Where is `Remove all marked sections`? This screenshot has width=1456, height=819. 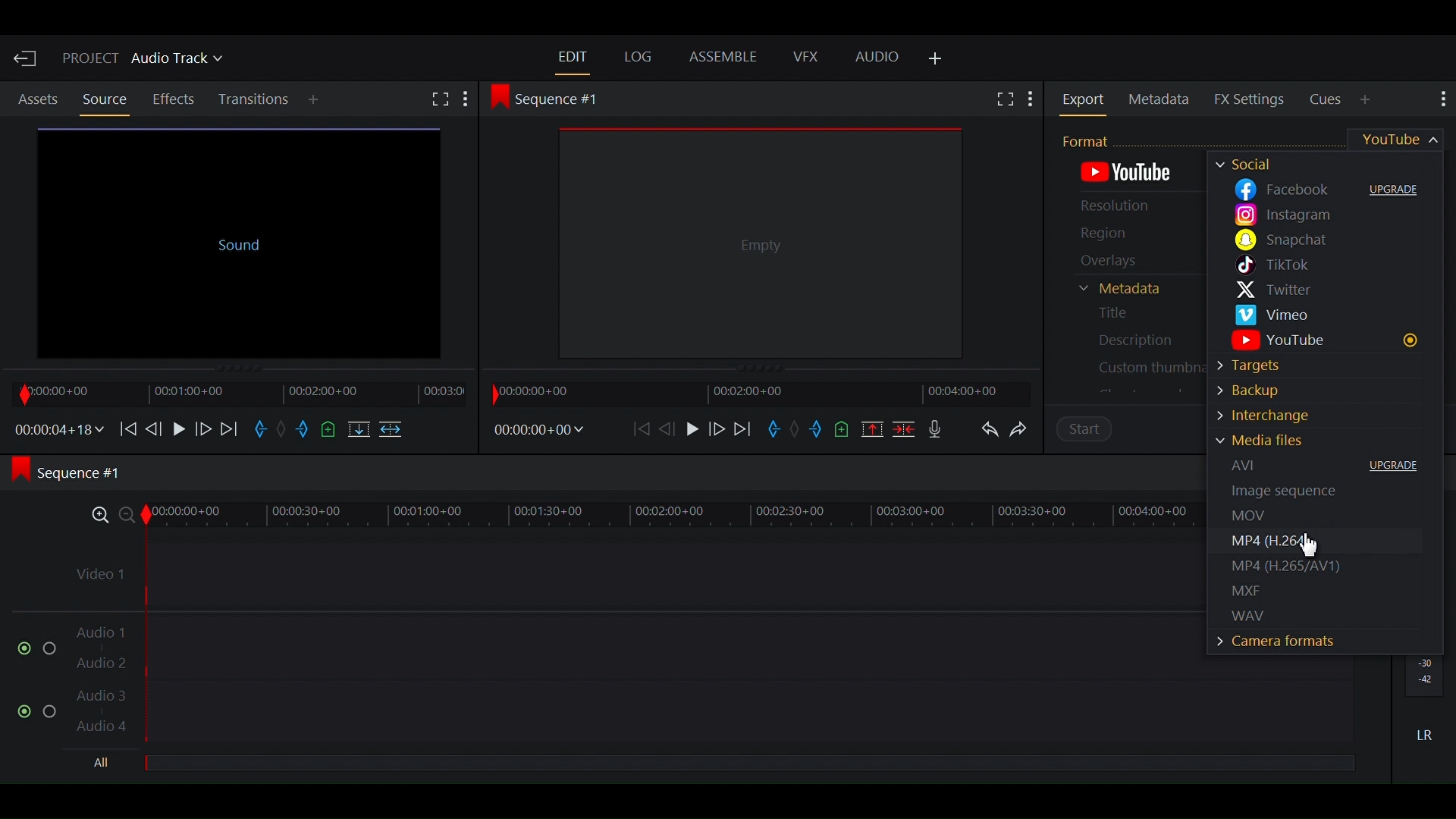 Remove all marked sections is located at coordinates (873, 428).